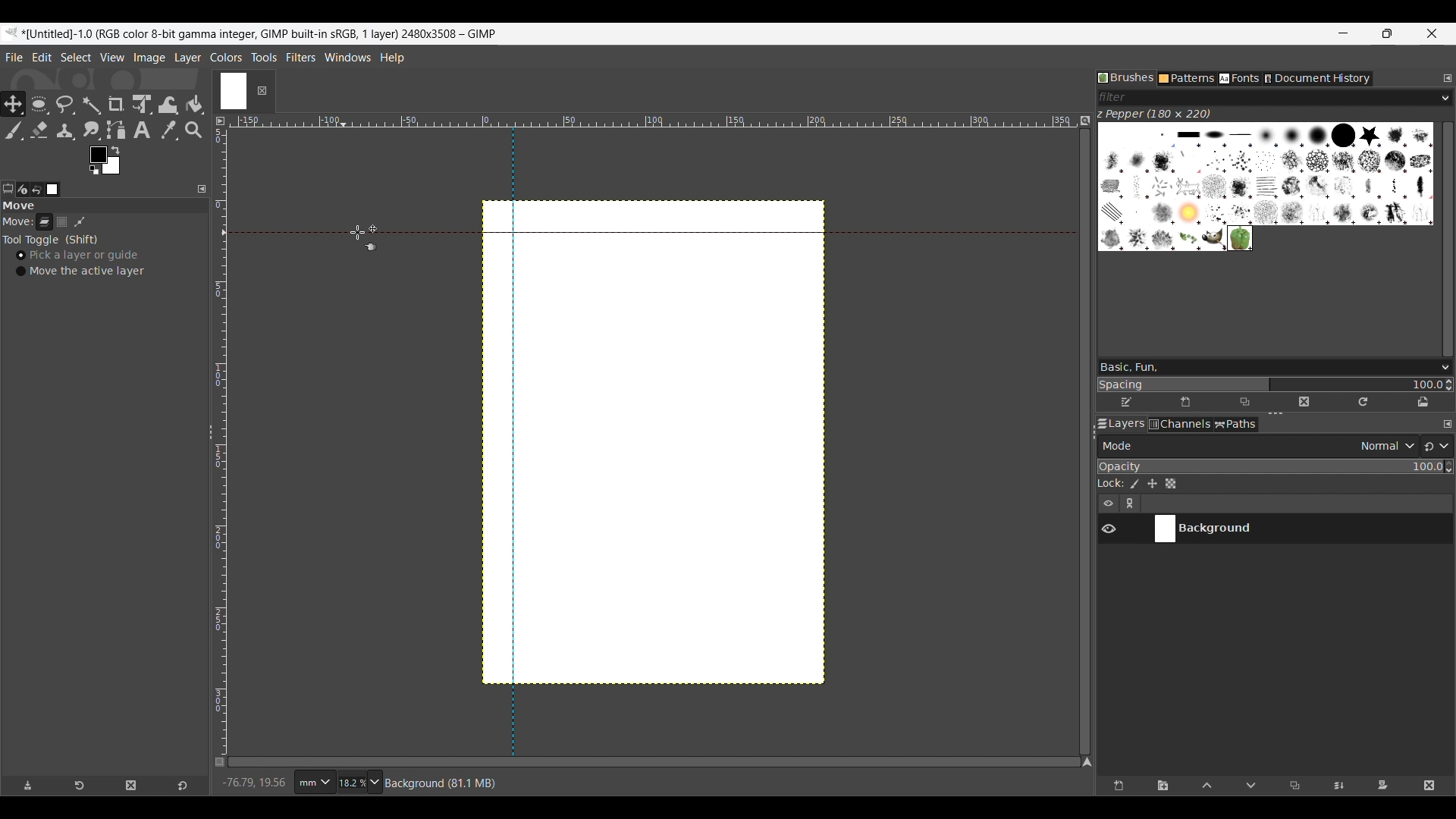 The width and height of the screenshot is (1456, 819). I want to click on Undo history, so click(39, 190).